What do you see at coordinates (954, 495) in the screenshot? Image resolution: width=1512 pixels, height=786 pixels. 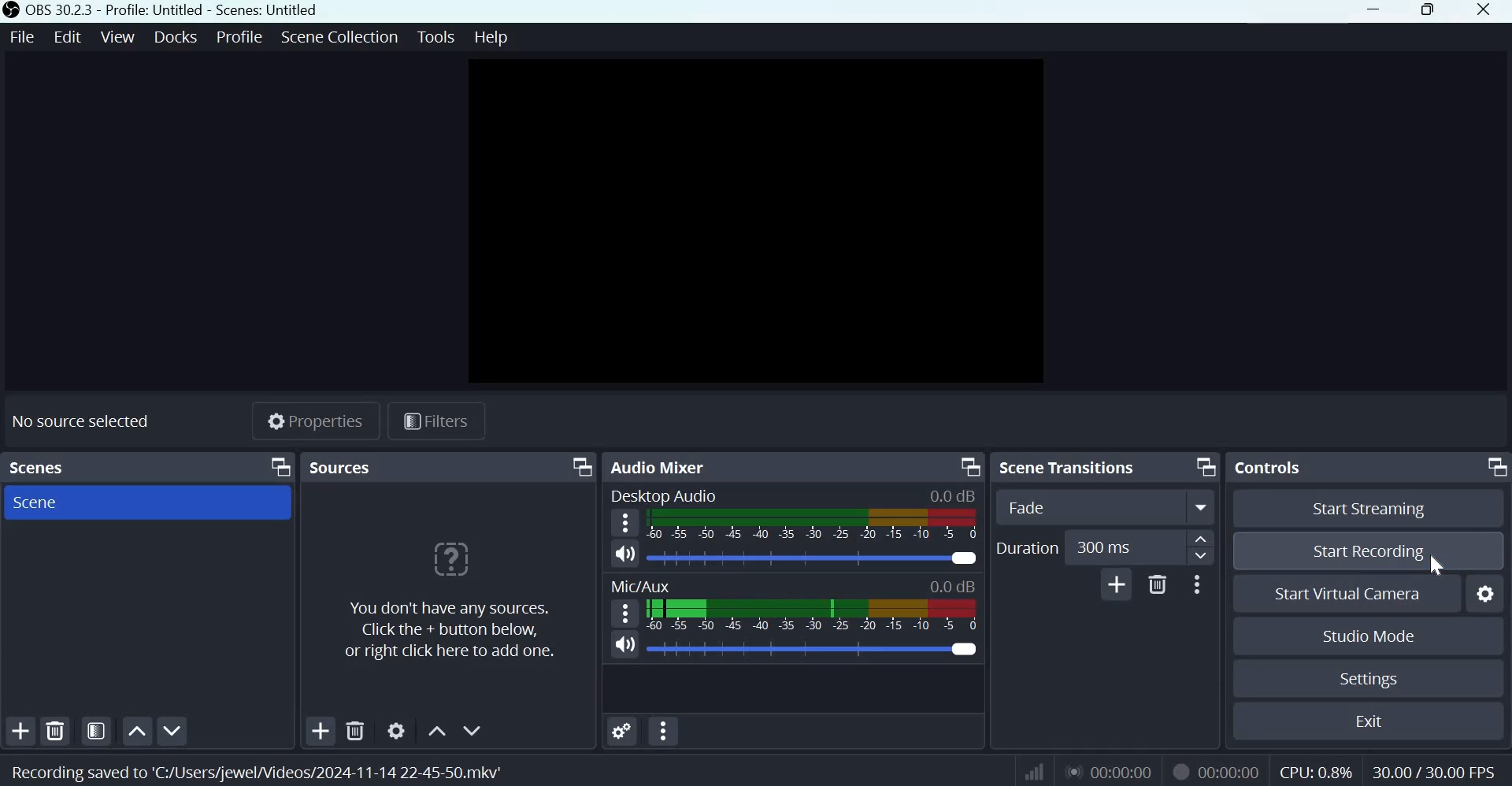 I see `0.0db` at bounding box center [954, 495].